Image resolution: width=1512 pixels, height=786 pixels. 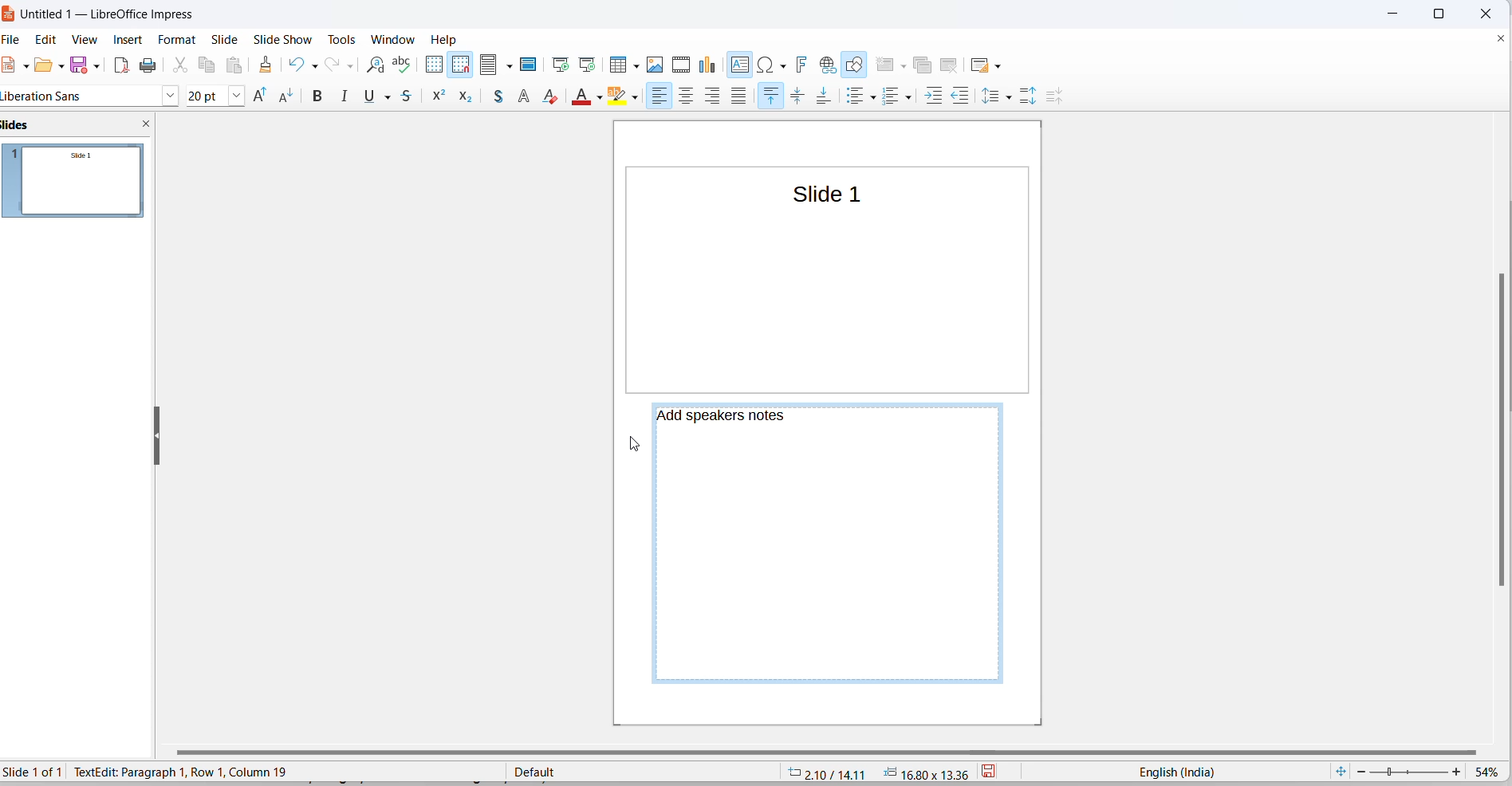 What do you see at coordinates (283, 40) in the screenshot?
I see `slide show` at bounding box center [283, 40].